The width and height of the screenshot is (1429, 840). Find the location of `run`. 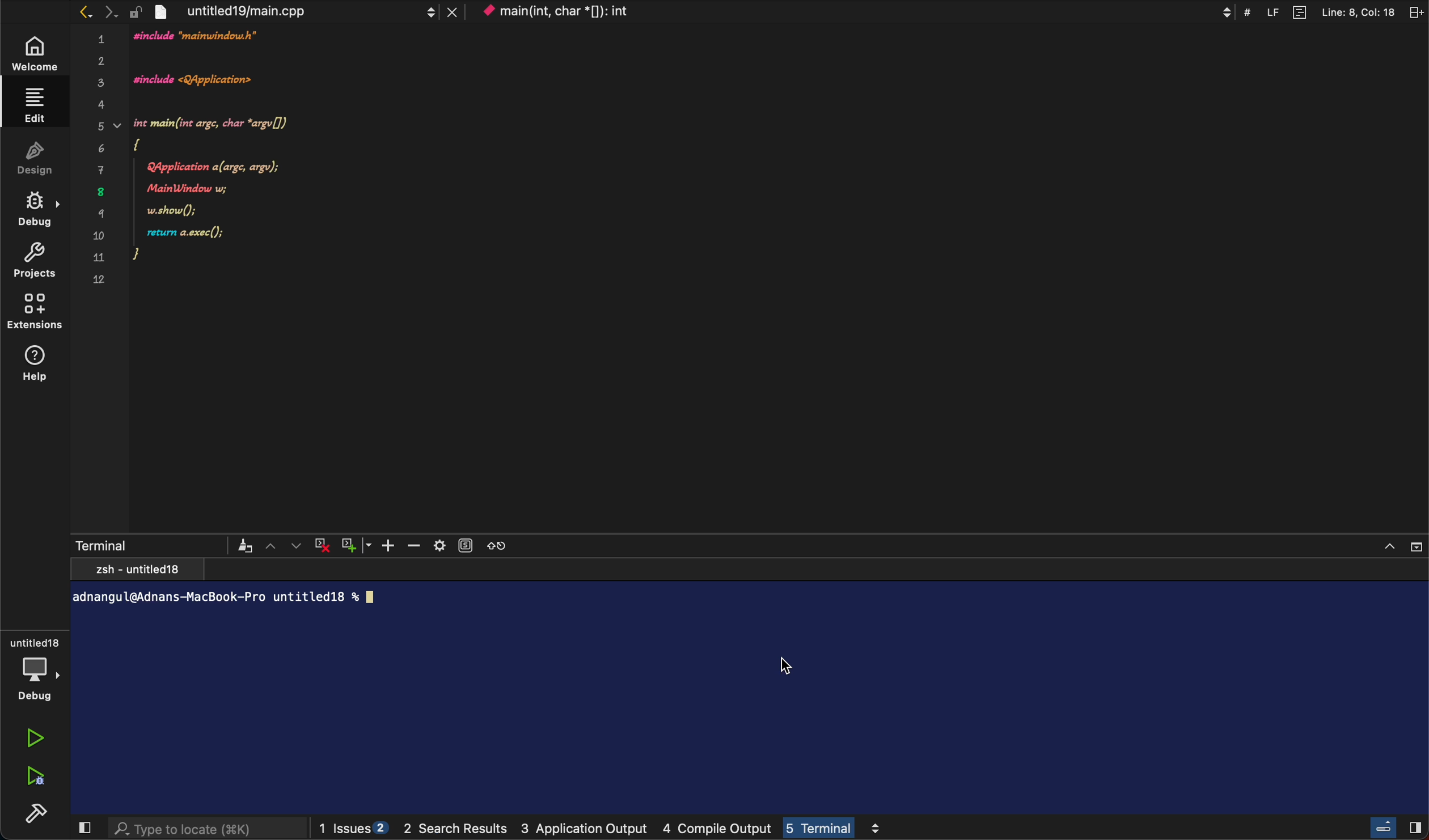

run is located at coordinates (35, 734).